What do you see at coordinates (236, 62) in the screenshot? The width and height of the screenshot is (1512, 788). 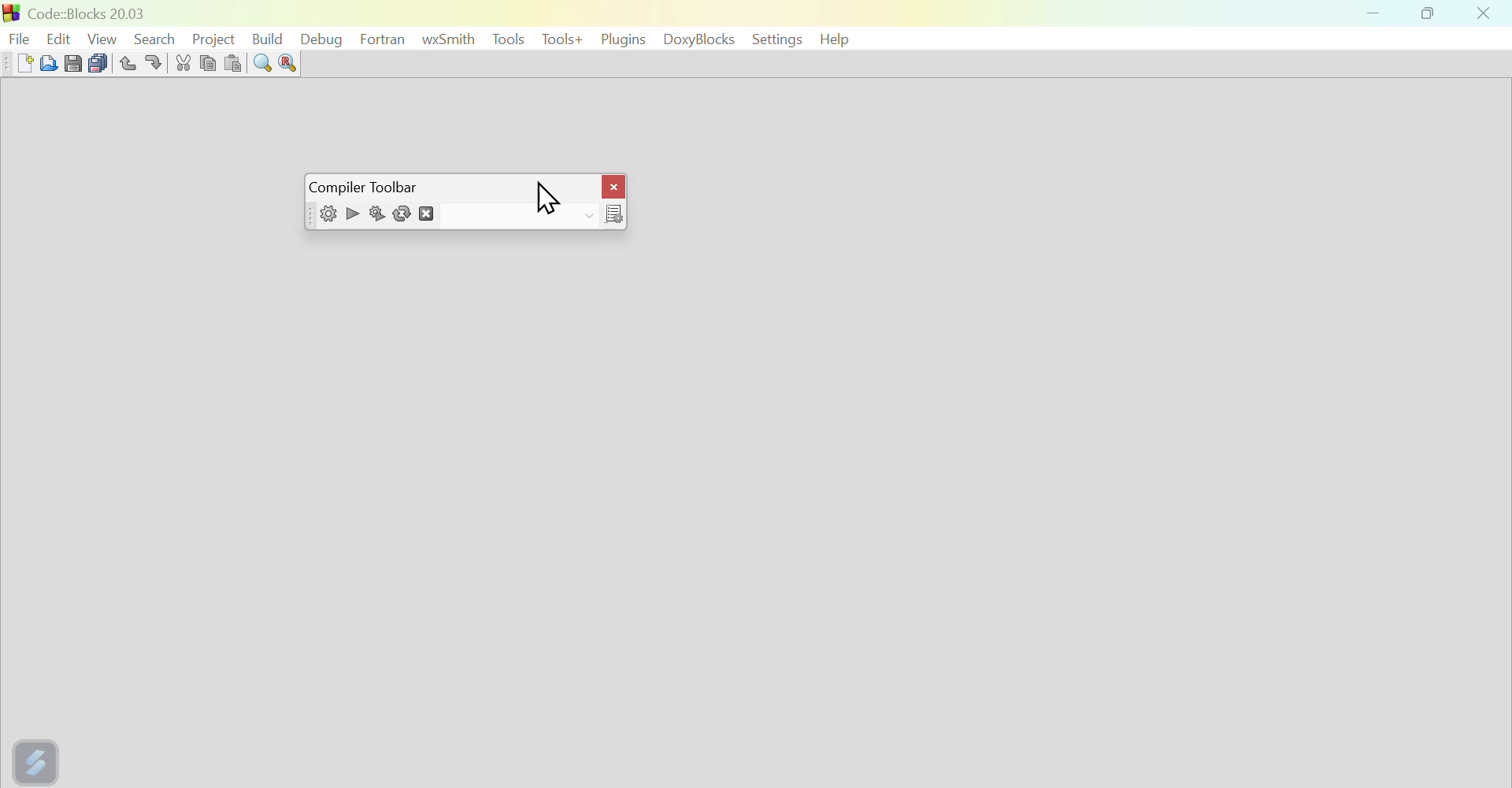 I see `` at bounding box center [236, 62].